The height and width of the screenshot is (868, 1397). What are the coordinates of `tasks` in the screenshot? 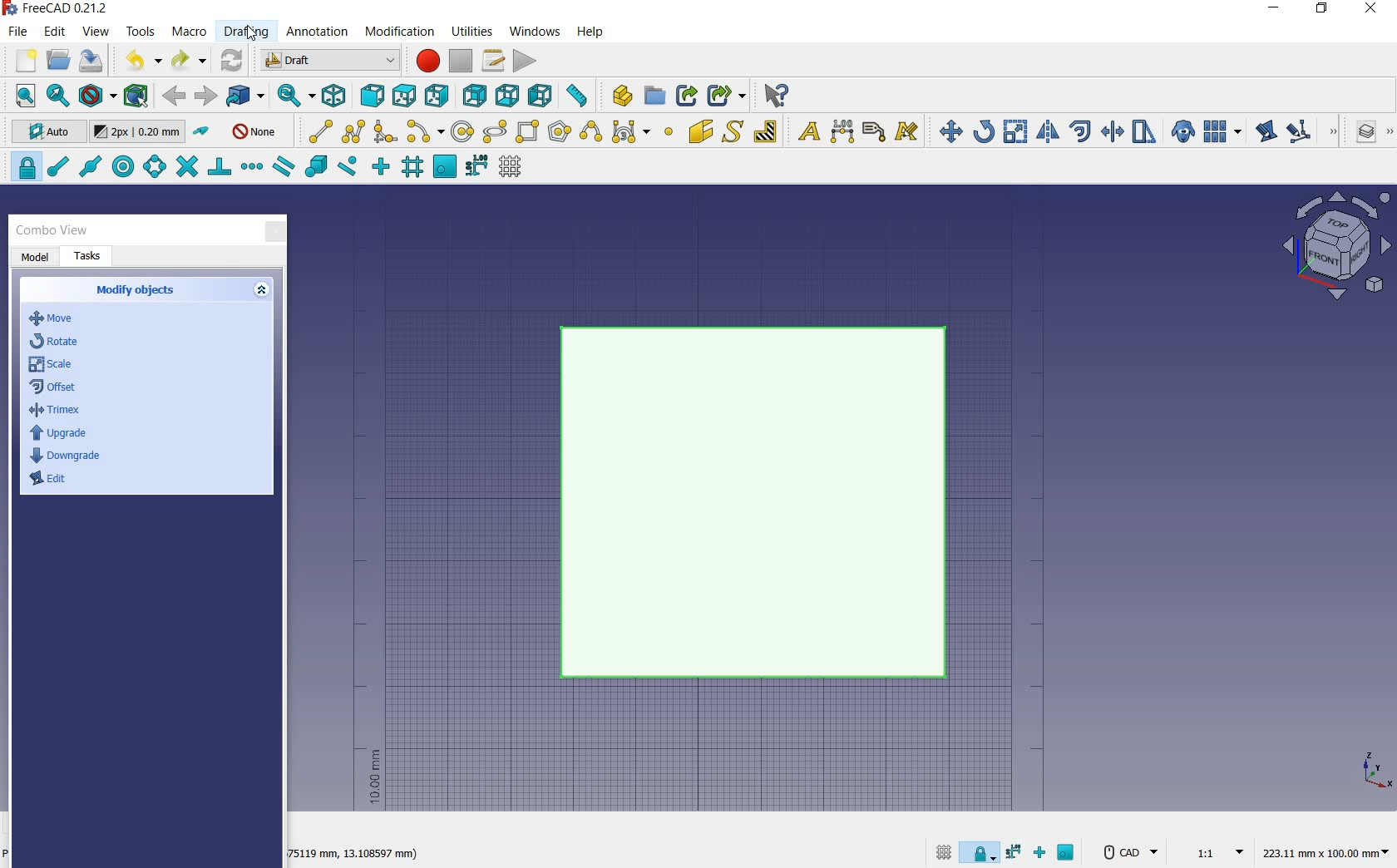 It's located at (89, 257).